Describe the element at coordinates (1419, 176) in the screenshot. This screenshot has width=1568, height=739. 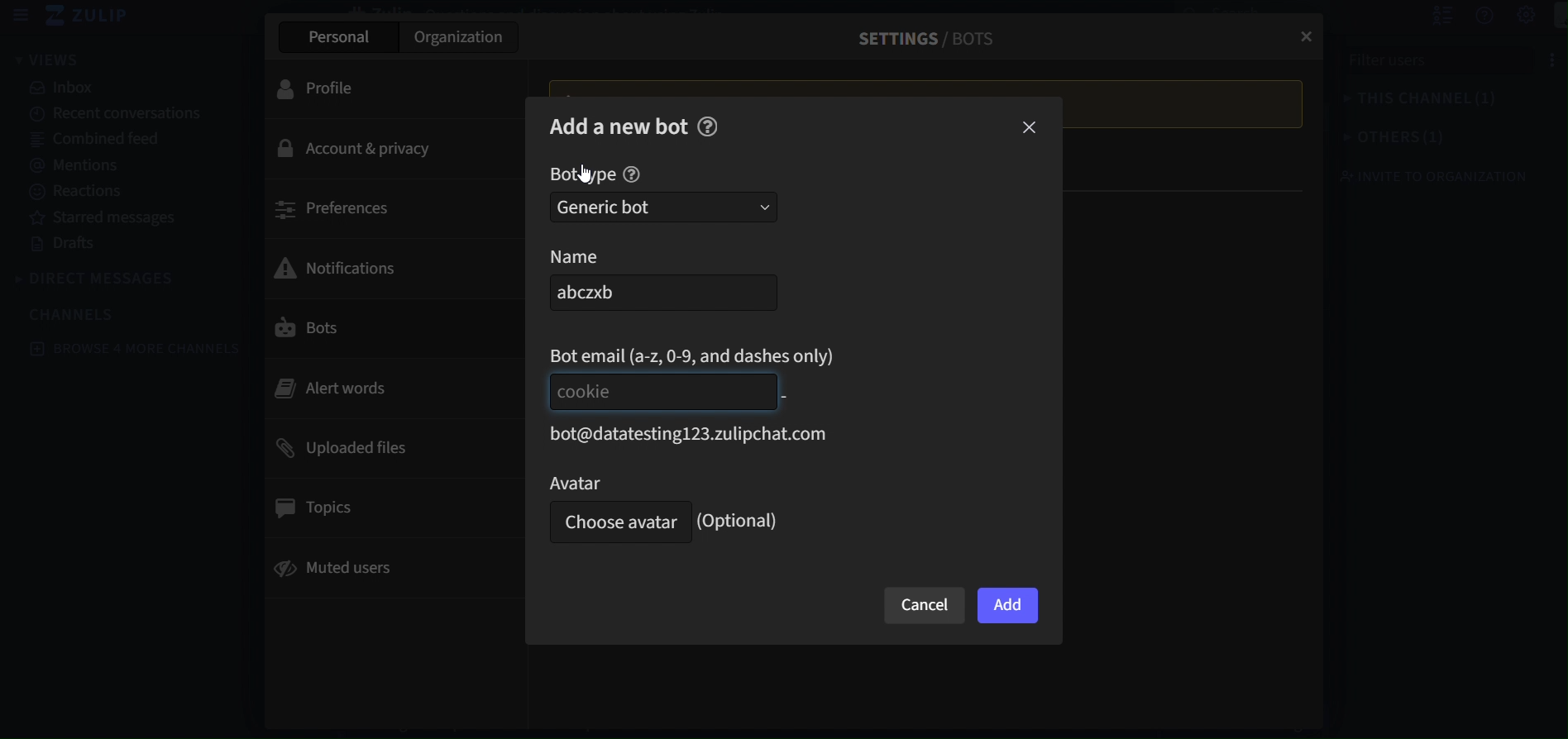
I see `invite to organization` at that location.